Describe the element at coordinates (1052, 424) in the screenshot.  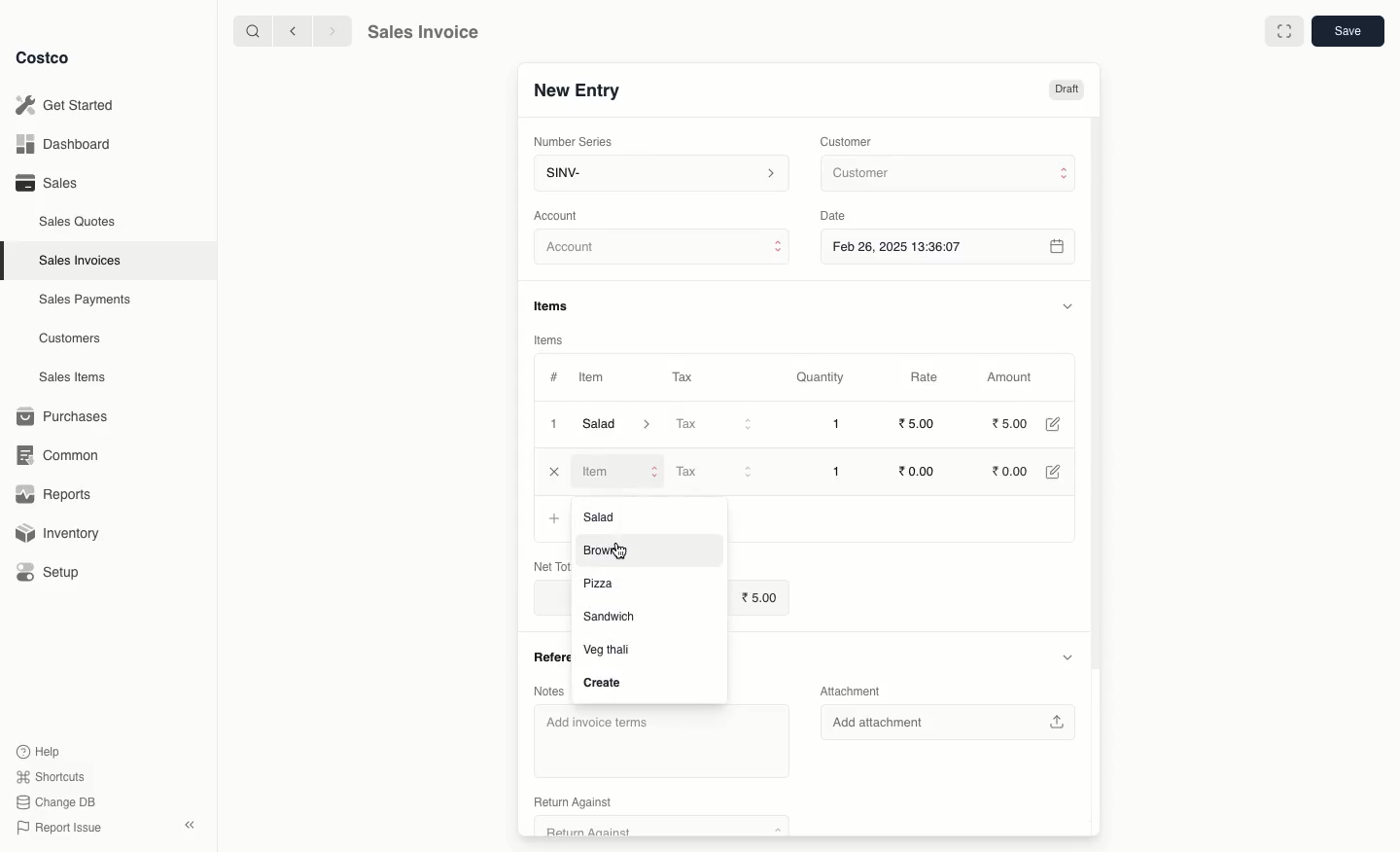
I see `Edit` at that location.